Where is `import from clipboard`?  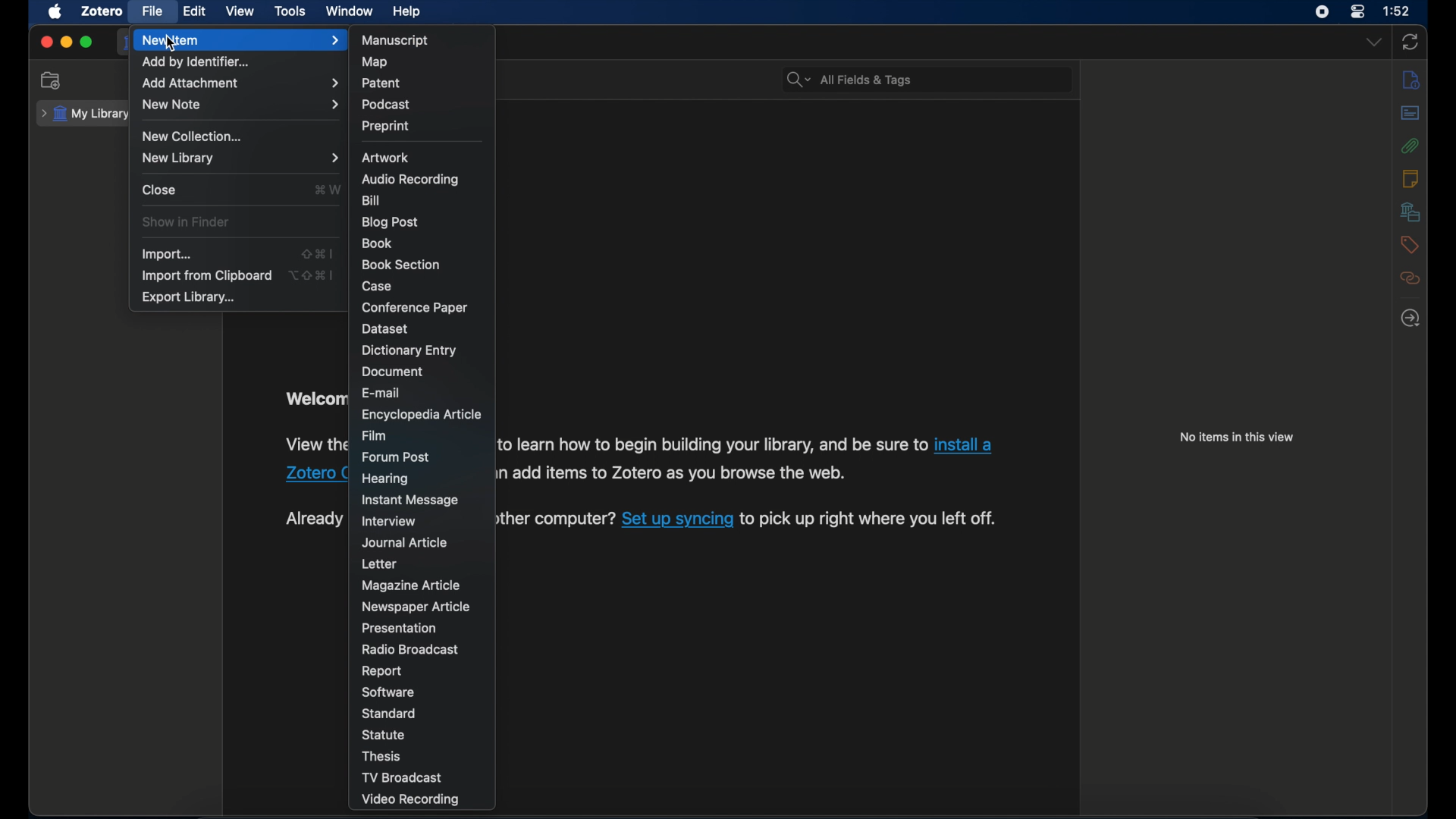 import from clipboard is located at coordinates (208, 276).